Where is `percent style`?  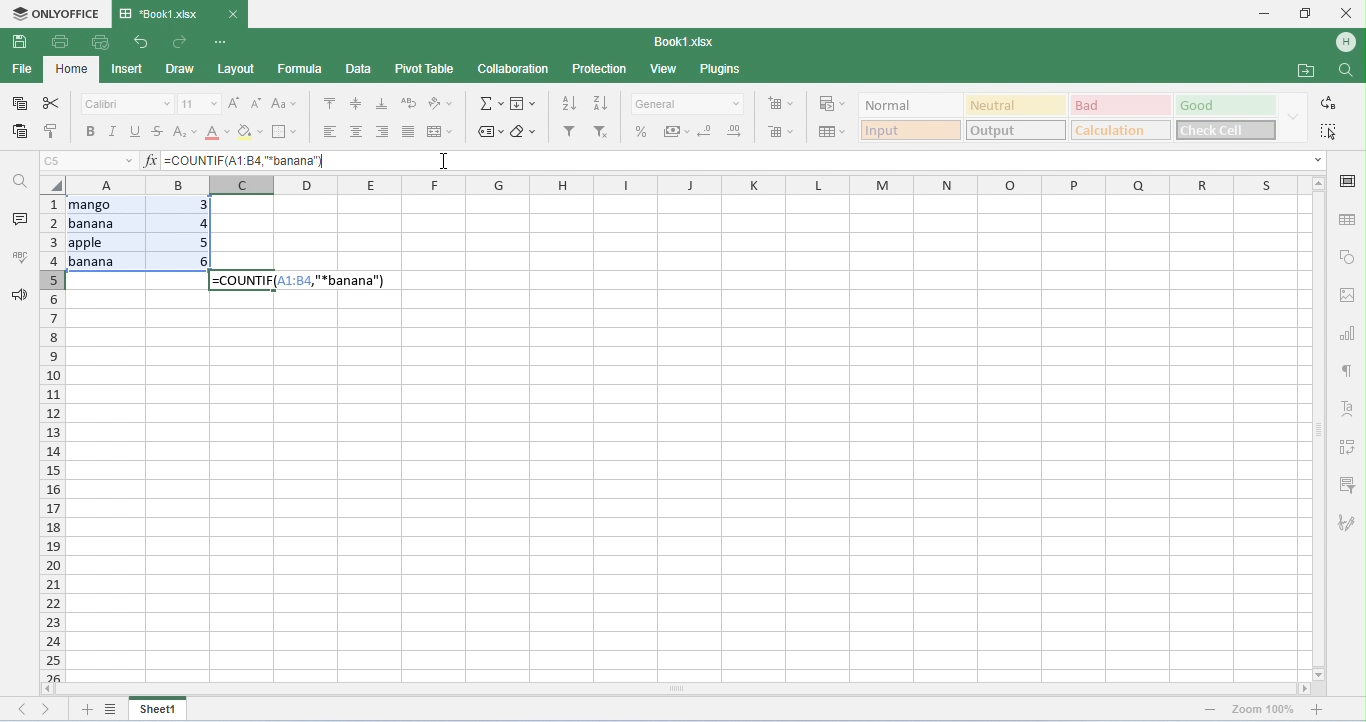
percent style is located at coordinates (643, 132).